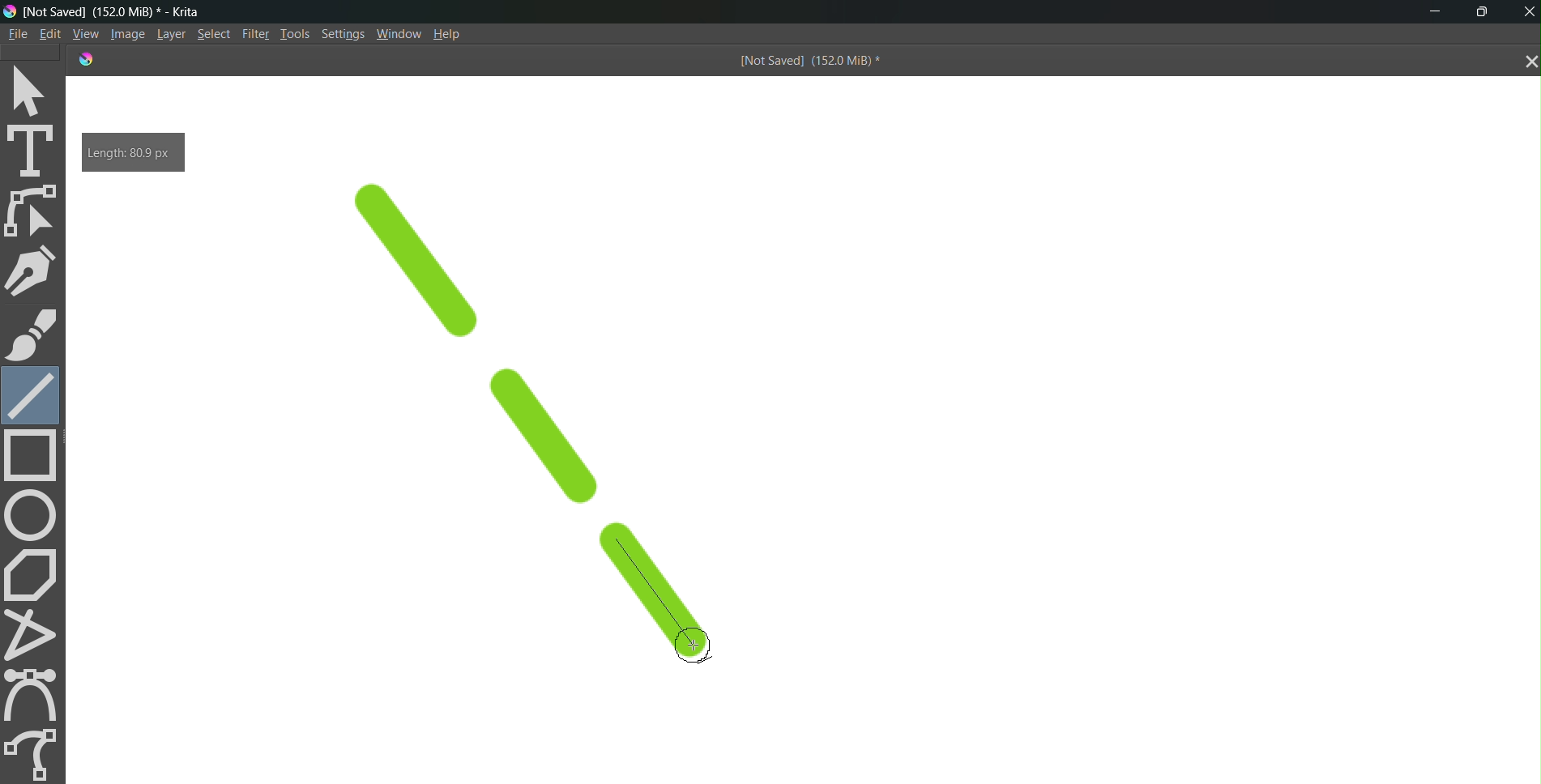 This screenshot has height=784, width=1541. Describe the element at coordinates (142, 153) in the screenshot. I see `Length` at that location.